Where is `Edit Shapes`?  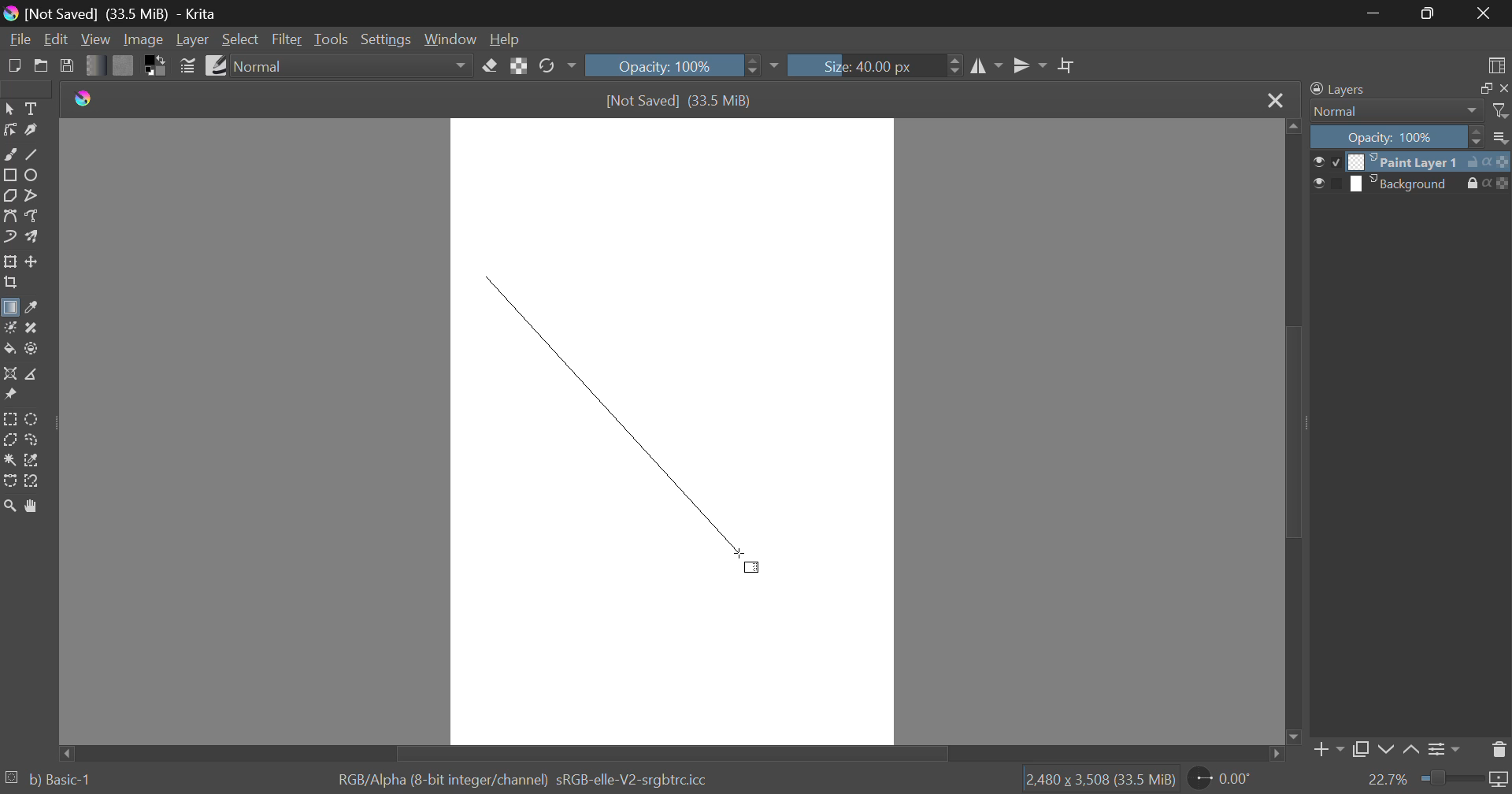 Edit Shapes is located at coordinates (9, 130).